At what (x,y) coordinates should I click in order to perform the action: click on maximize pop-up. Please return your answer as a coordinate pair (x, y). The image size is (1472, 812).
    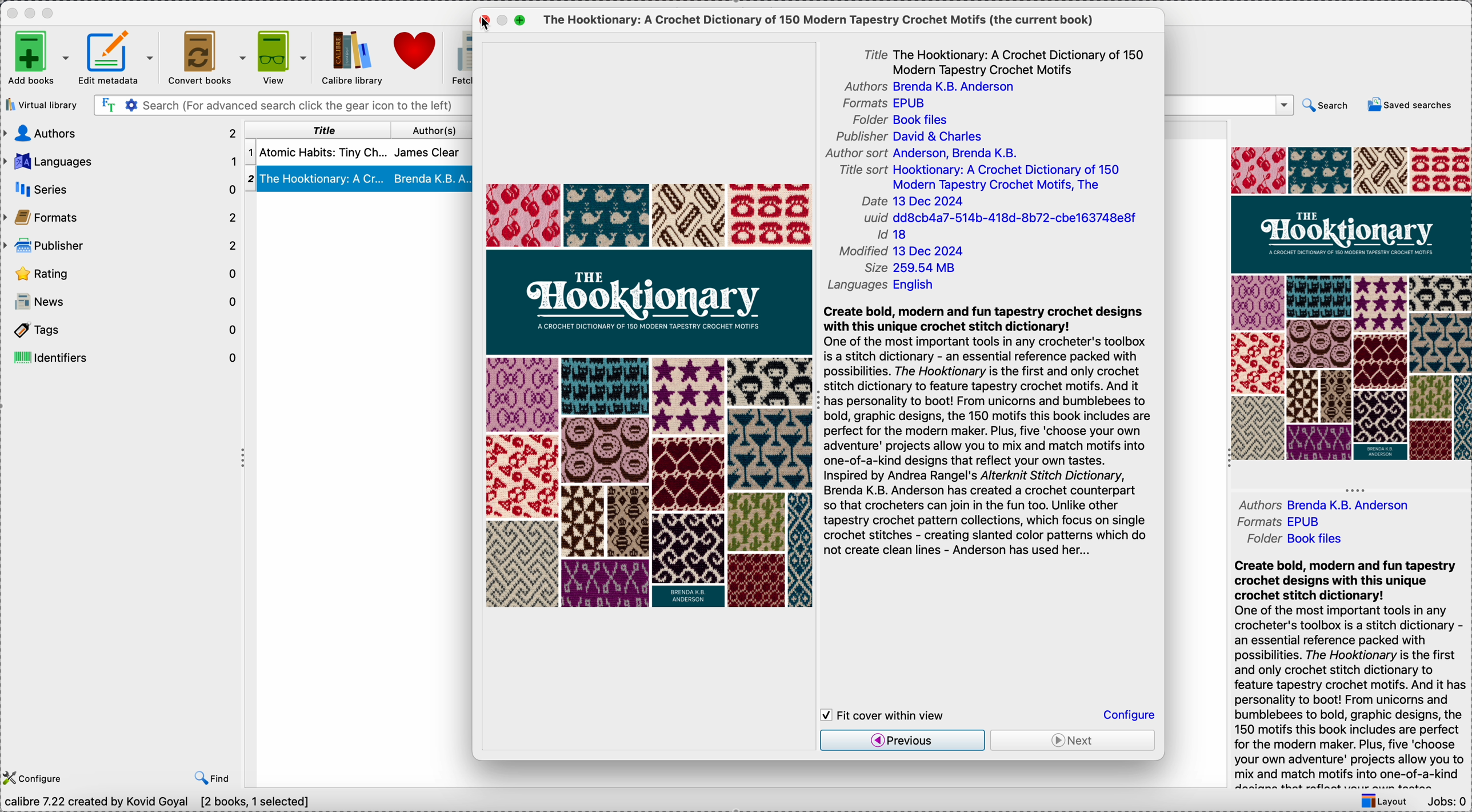
    Looking at the image, I should click on (522, 19).